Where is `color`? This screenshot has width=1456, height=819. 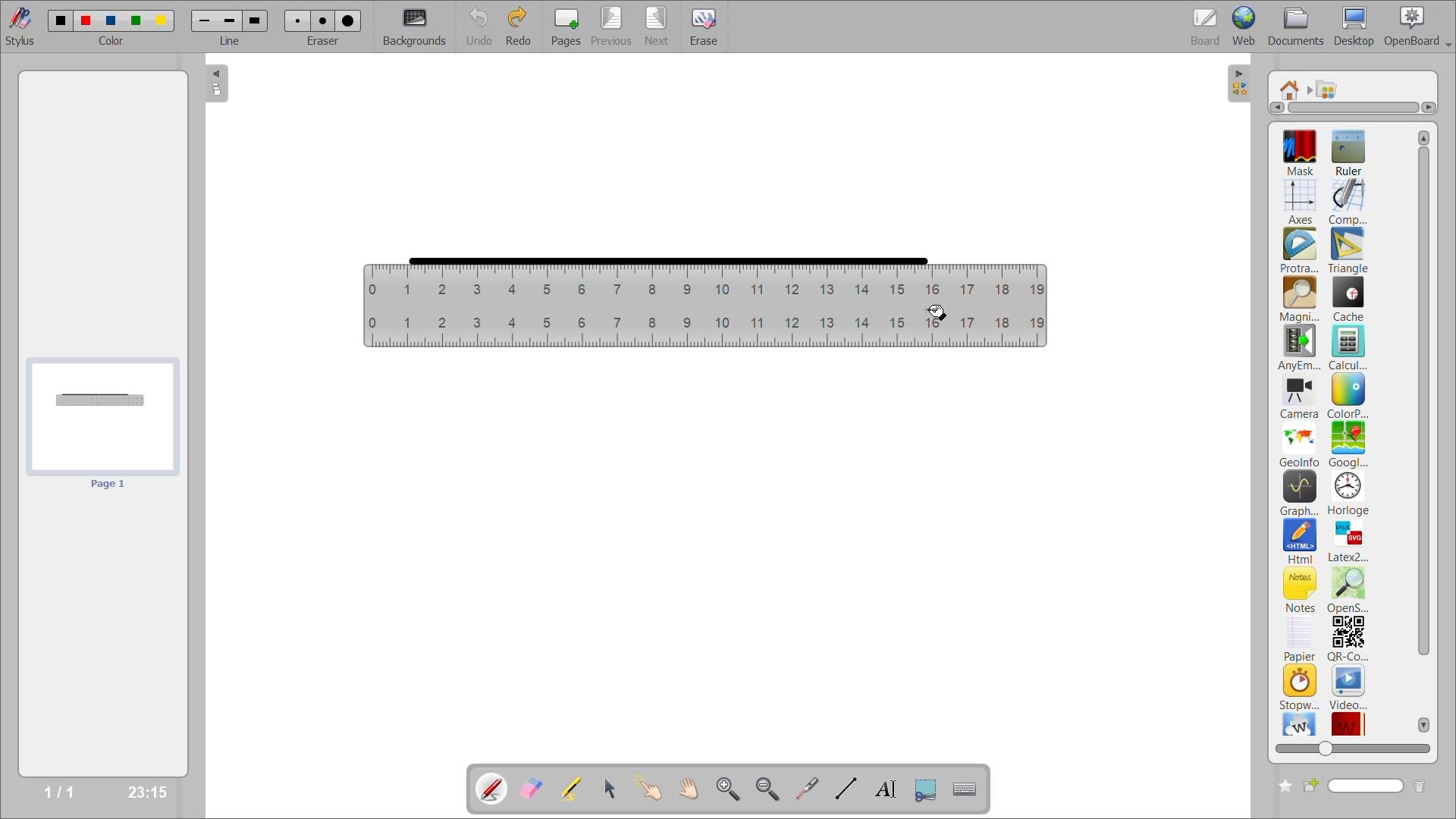
color is located at coordinates (110, 41).